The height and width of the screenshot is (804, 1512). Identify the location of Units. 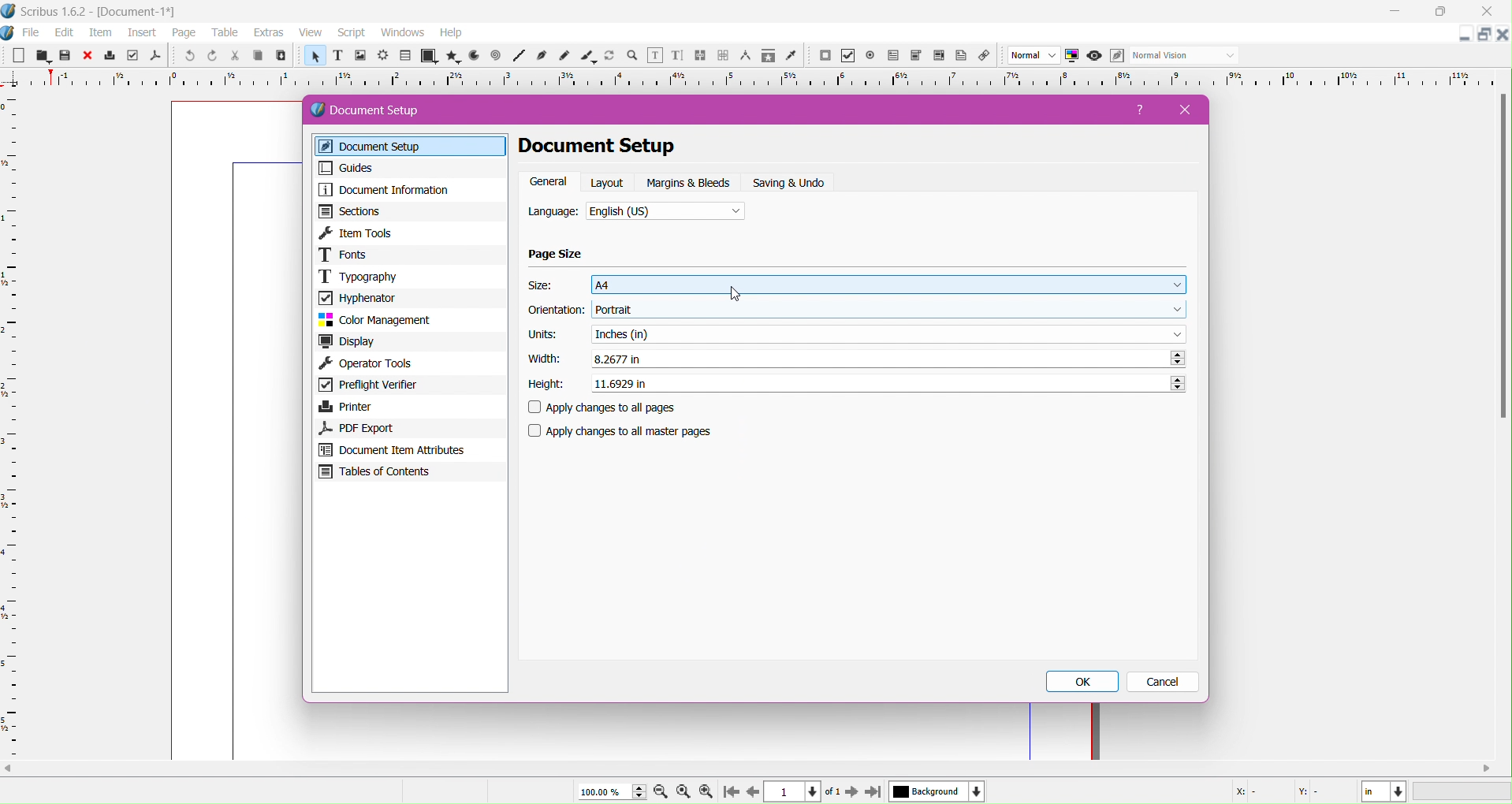
(543, 335).